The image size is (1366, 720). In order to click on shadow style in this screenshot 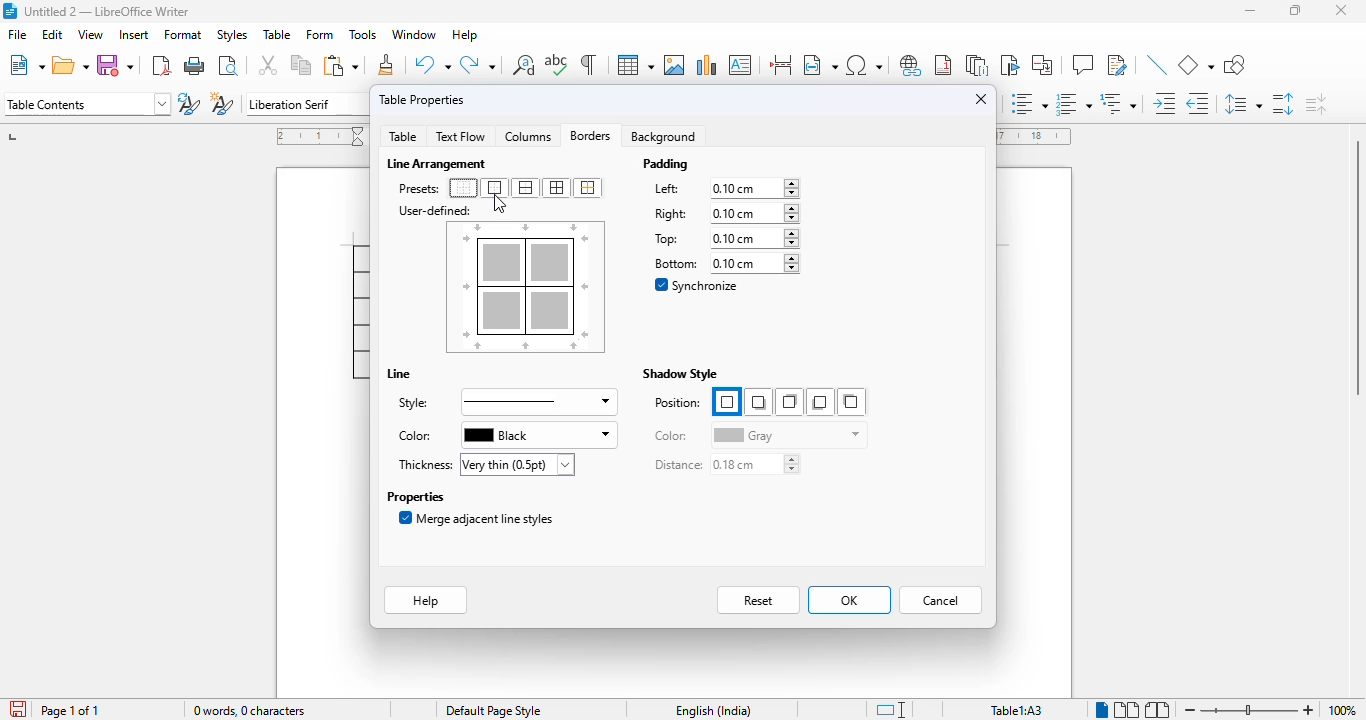, I will do `click(680, 374)`.